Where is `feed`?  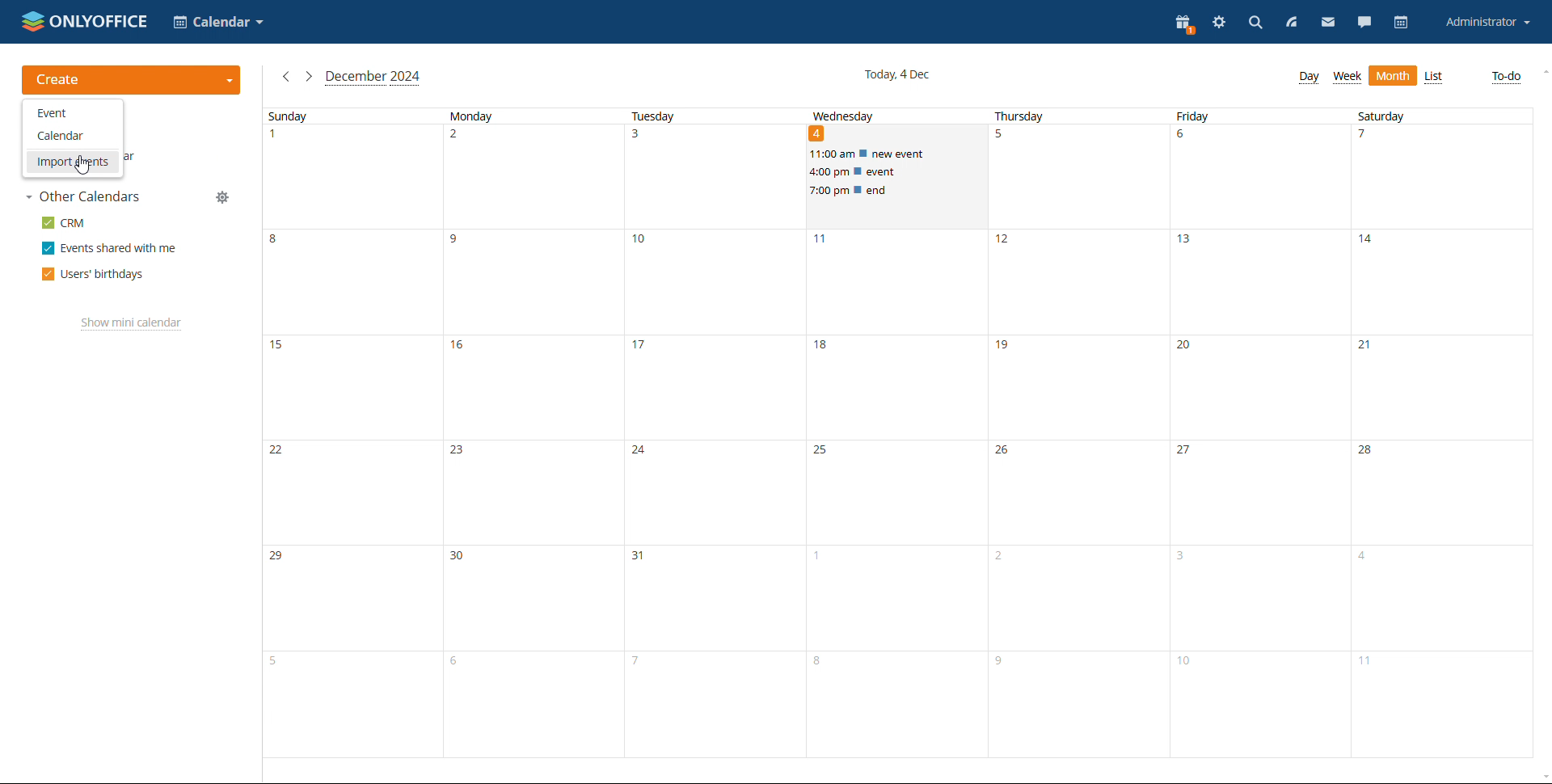
feed is located at coordinates (1293, 24).